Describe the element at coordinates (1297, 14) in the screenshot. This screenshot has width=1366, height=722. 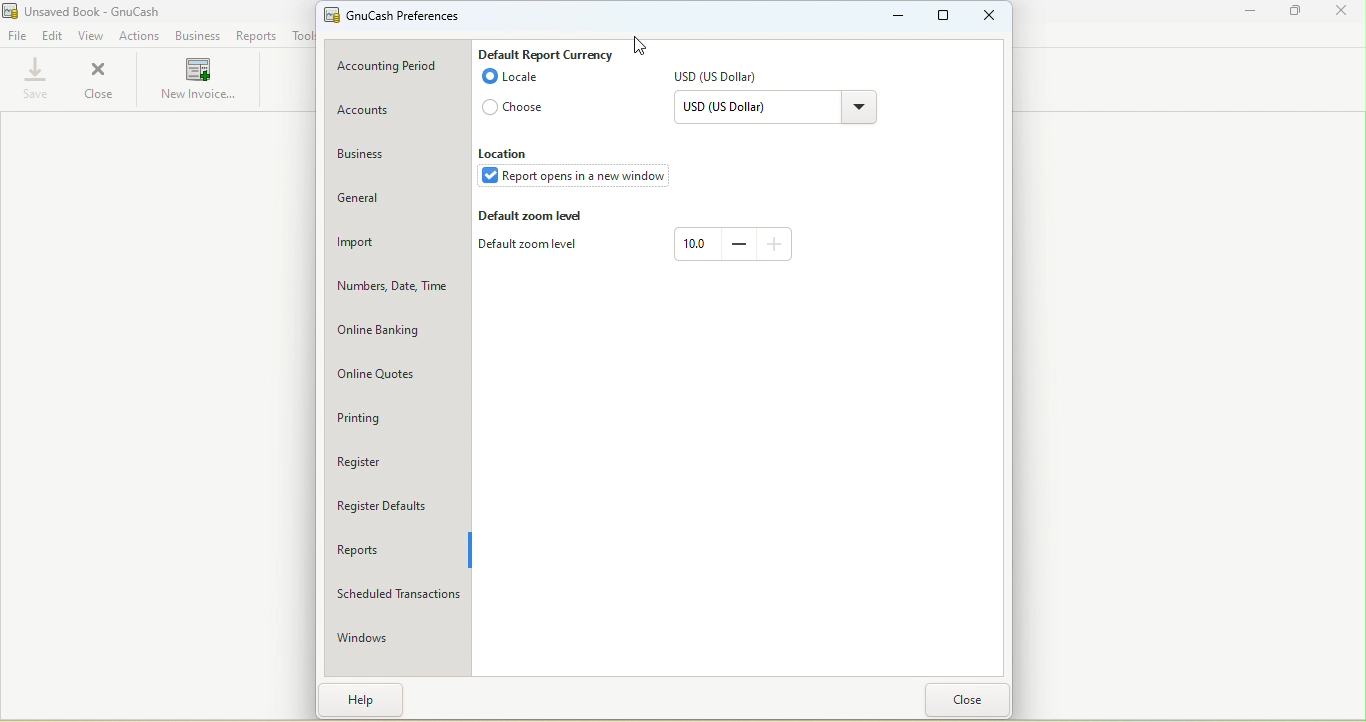
I see `Maximize` at that location.